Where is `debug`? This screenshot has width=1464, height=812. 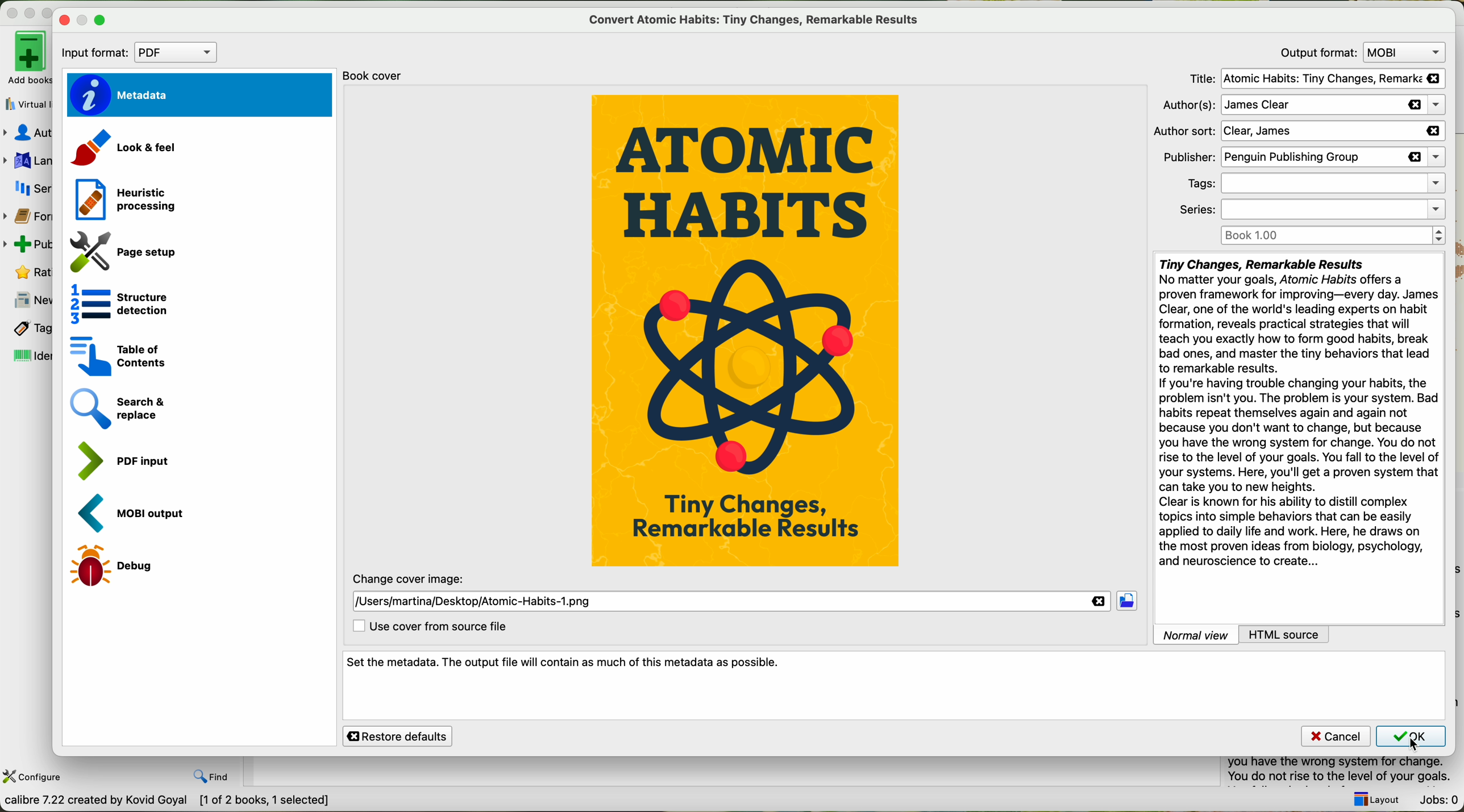
debug is located at coordinates (118, 565).